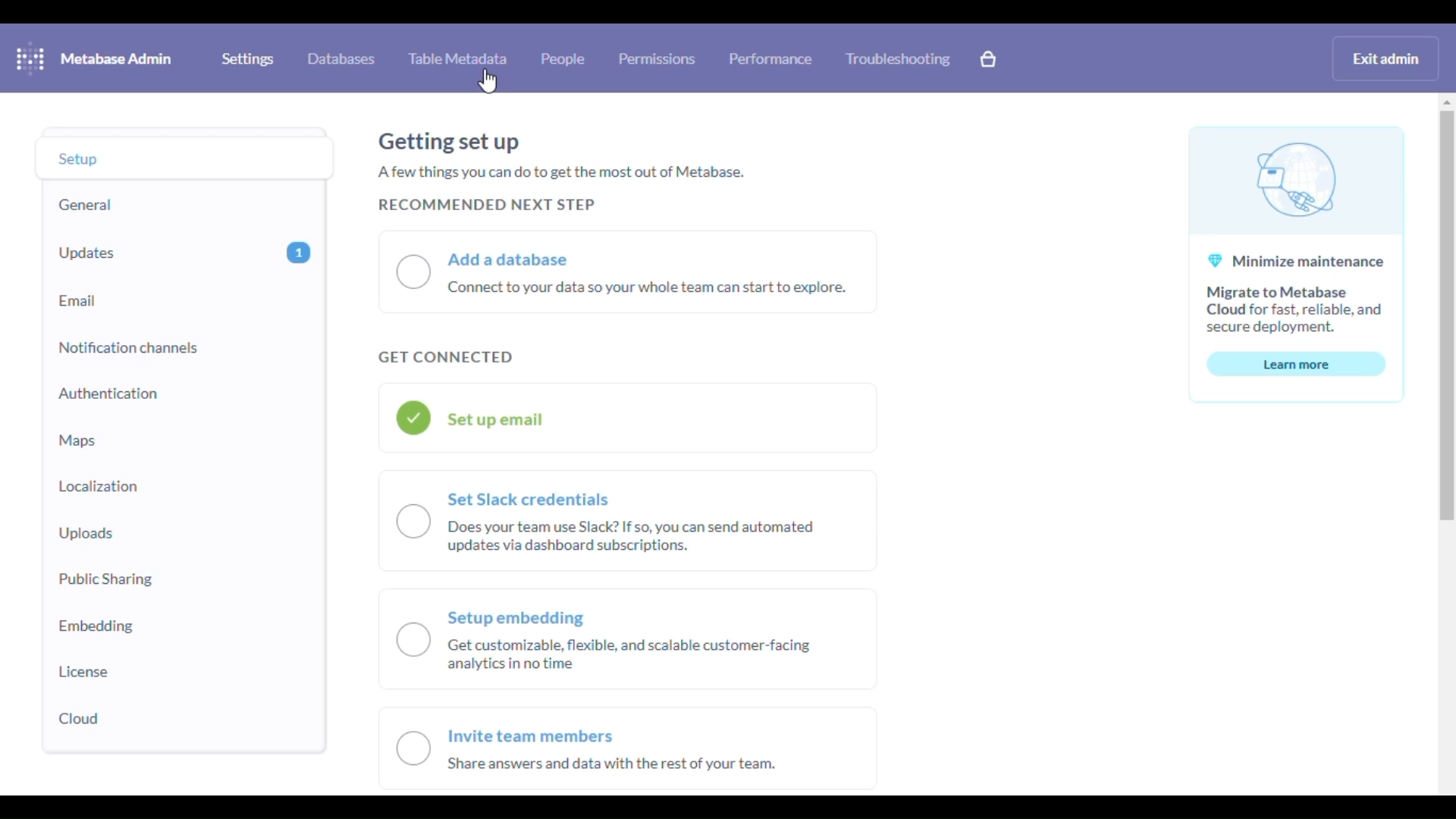 The image size is (1456, 819). What do you see at coordinates (485, 205) in the screenshot?
I see `recommended next step` at bounding box center [485, 205].